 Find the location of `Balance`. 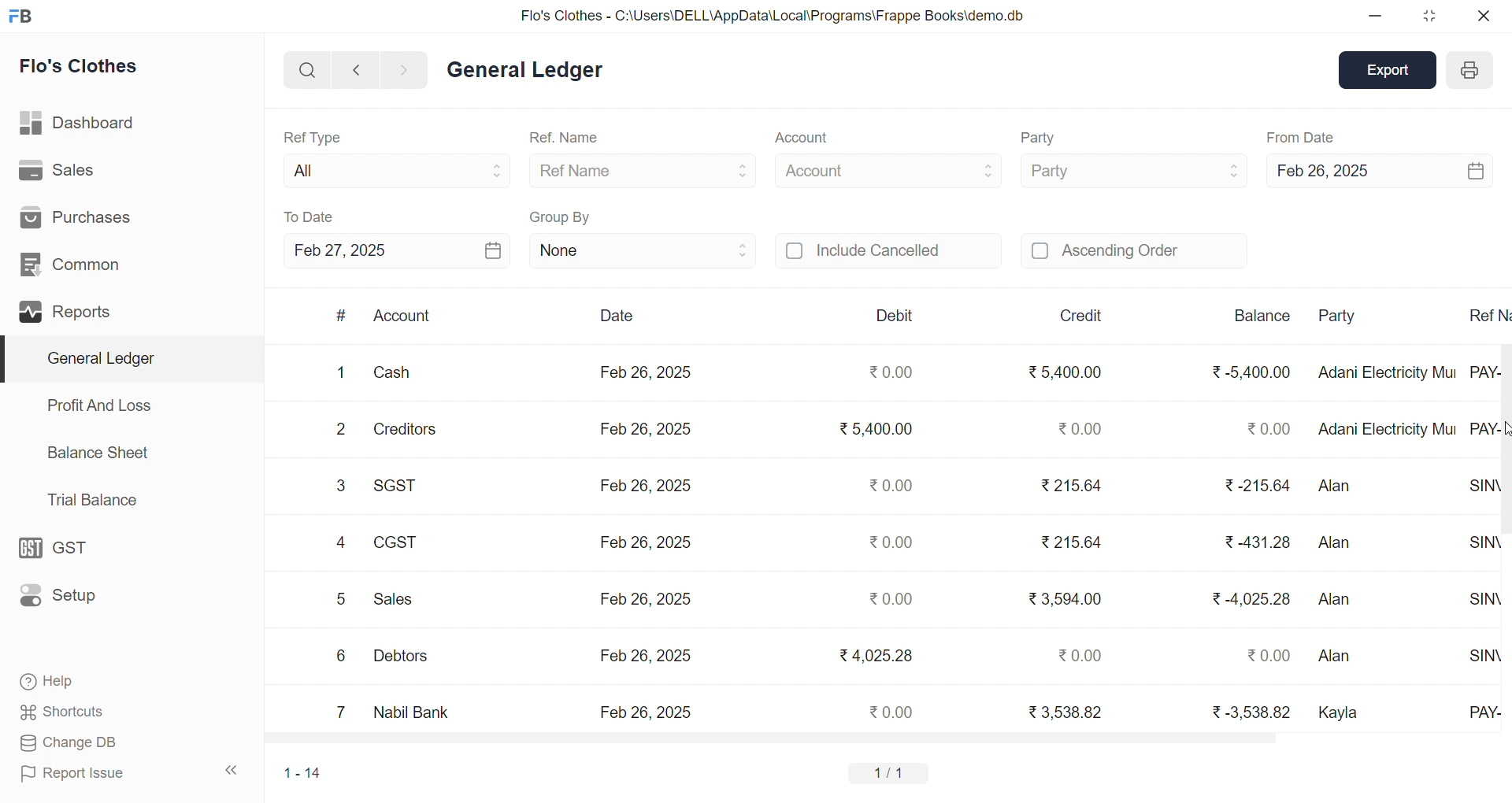

Balance is located at coordinates (1262, 316).